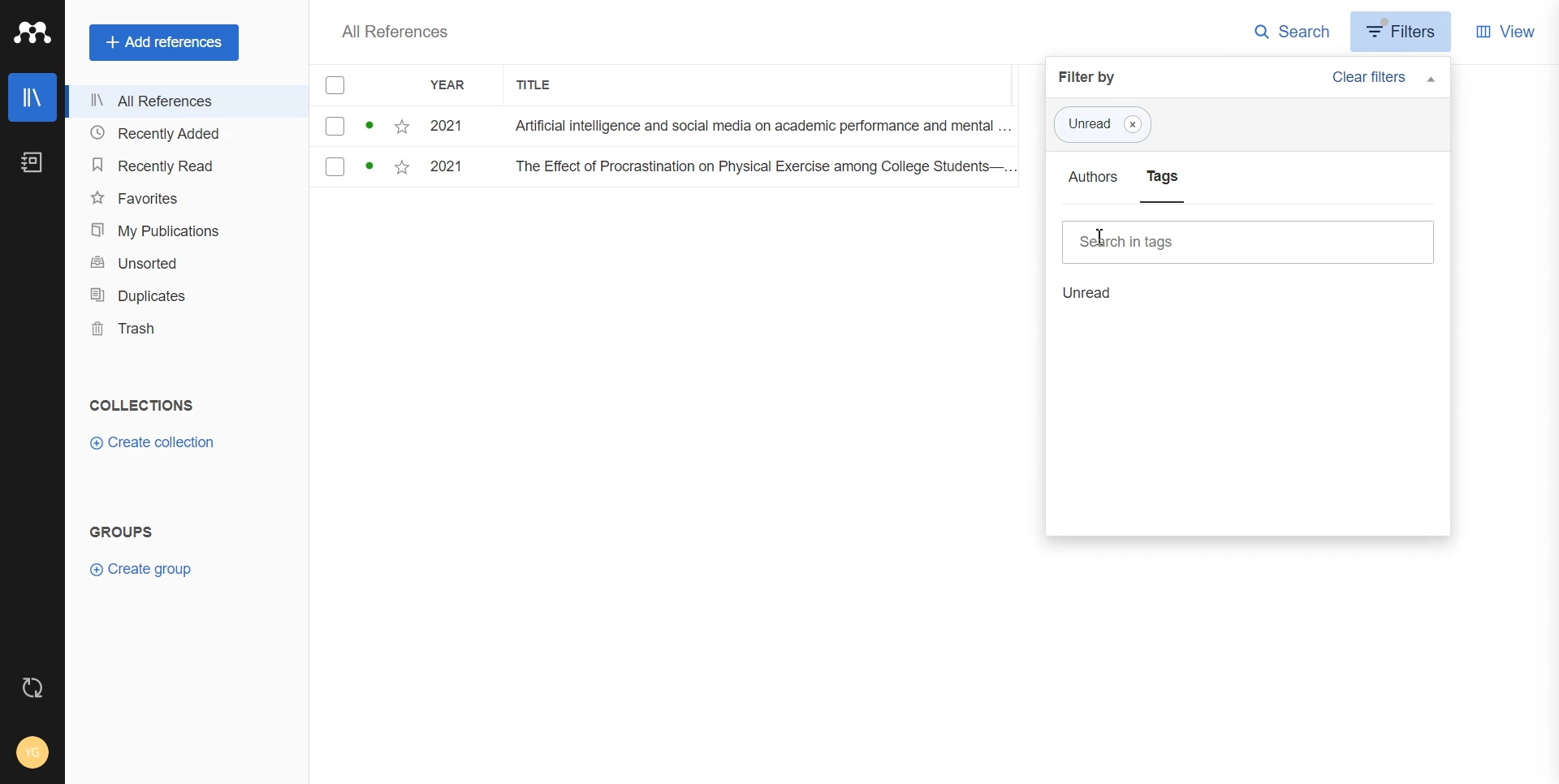 This screenshot has width=1559, height=784. Describe the element at coordinates (184, 165) in the screenshot. I see `Recently Read` at that location.